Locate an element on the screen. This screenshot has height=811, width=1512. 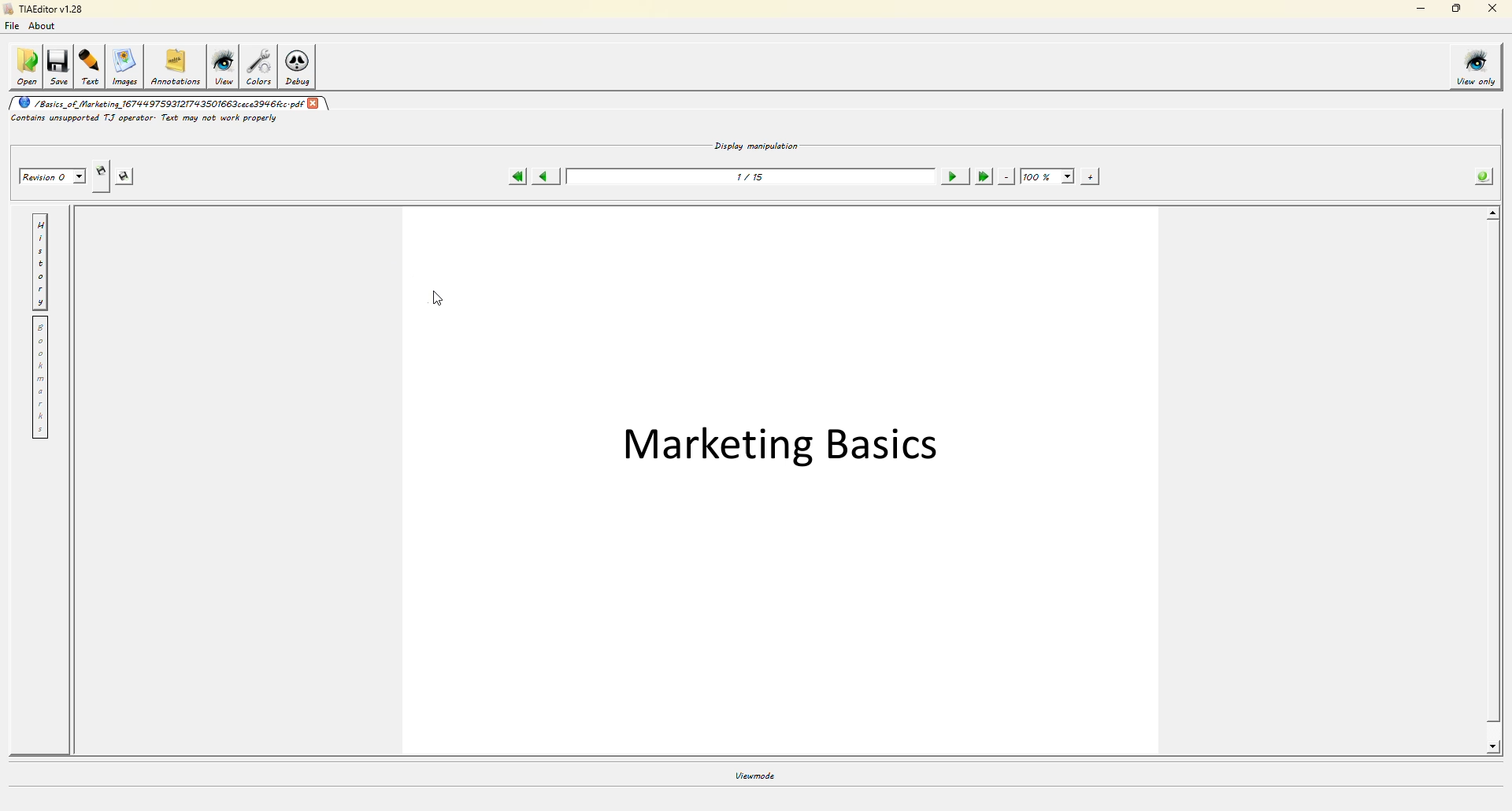
cursor is located at coordinates (439, 299).